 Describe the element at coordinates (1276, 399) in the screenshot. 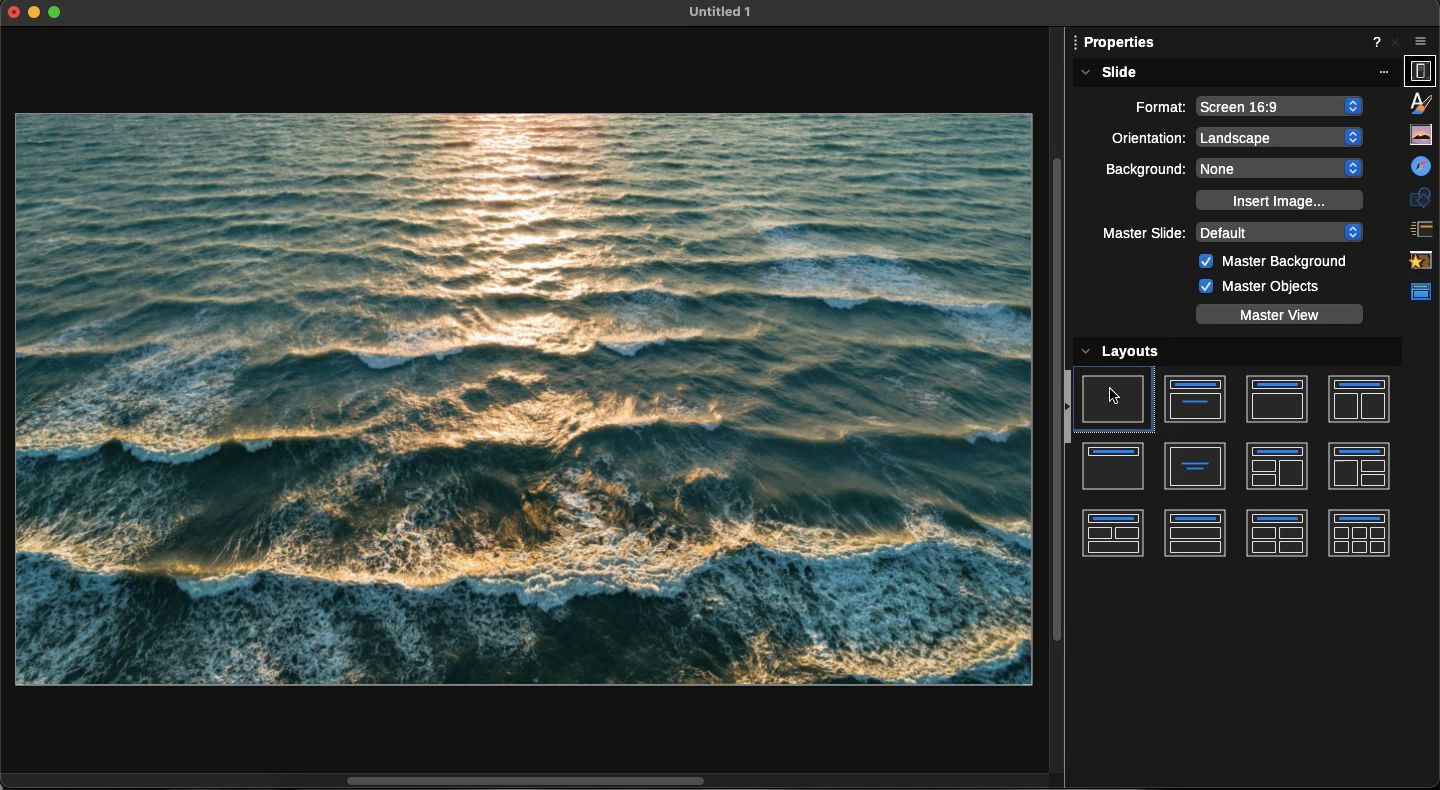

I see `Title and text box` at that location.